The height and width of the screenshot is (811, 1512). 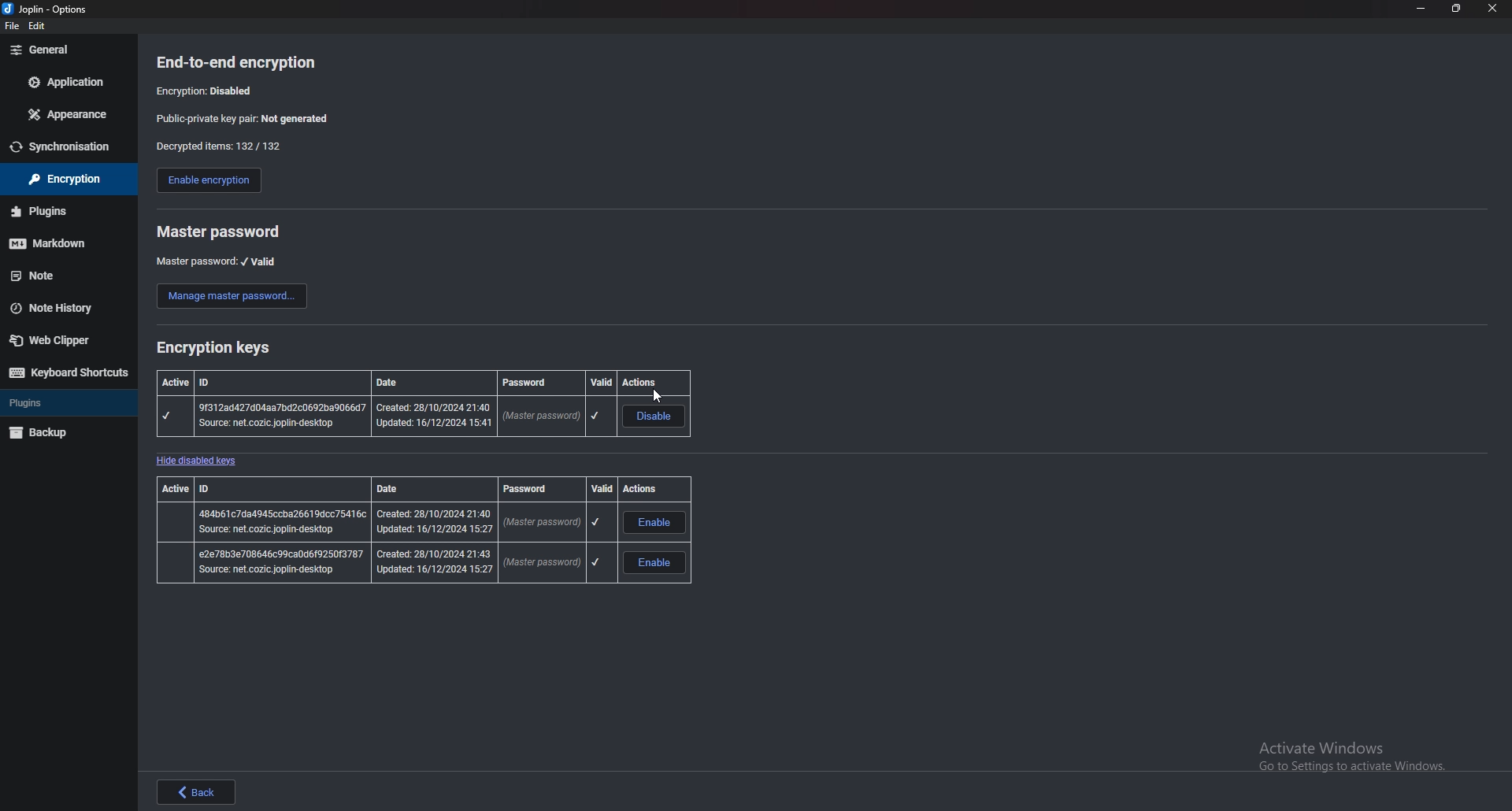 I want to click on disable, so click(x=655, y=416).